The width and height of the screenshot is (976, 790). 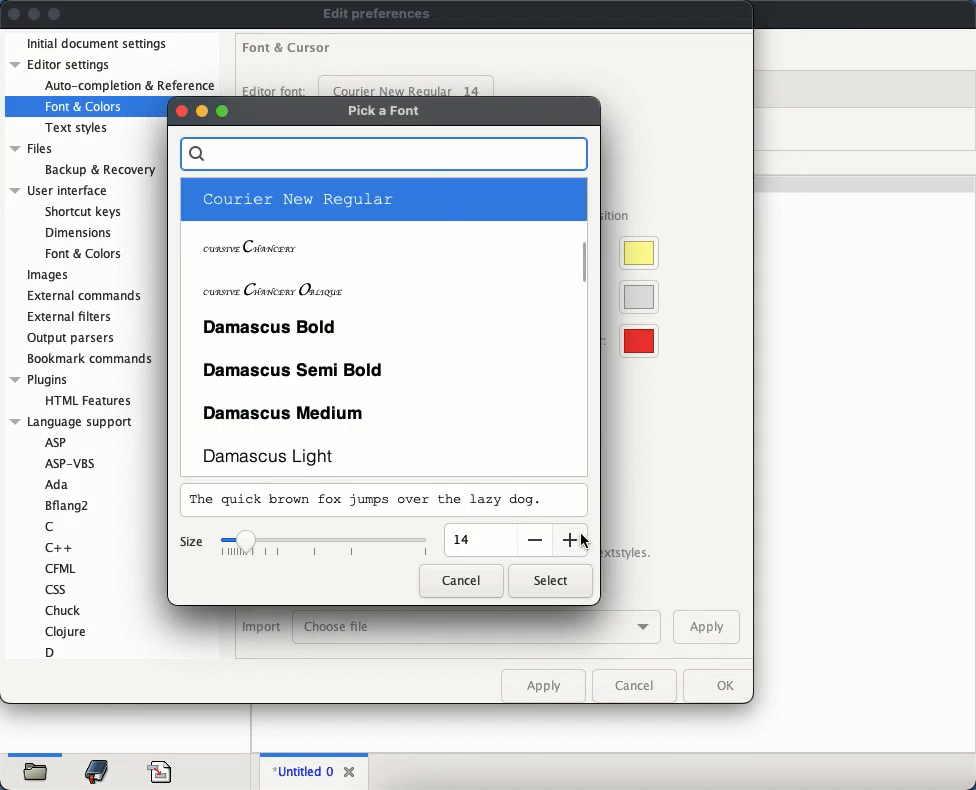 What do you see at coordinates (715, 686) in the screenshot?
I see `ok` at bounding box center [715, 686].